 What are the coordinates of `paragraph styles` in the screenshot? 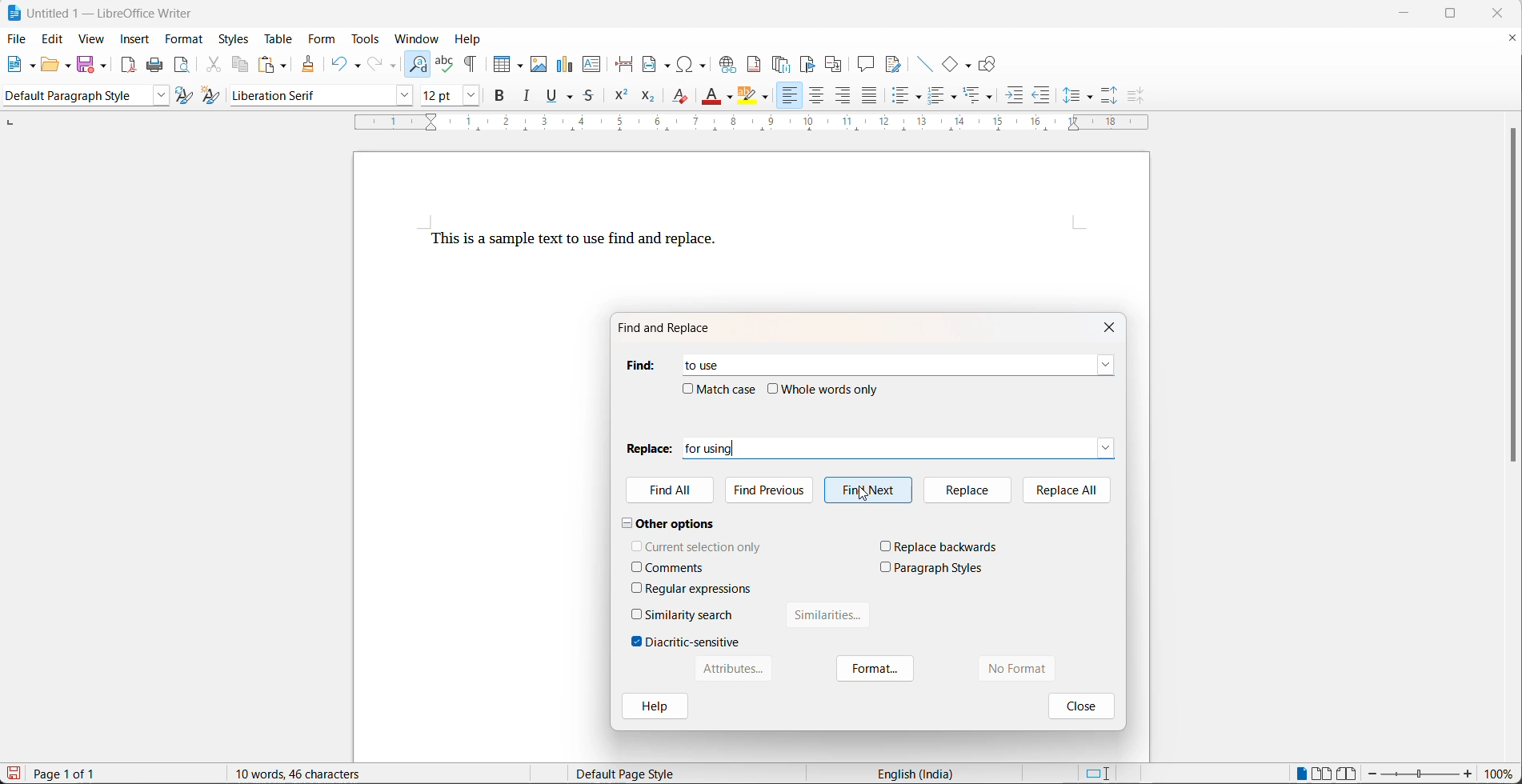 It's located at (939, 568).